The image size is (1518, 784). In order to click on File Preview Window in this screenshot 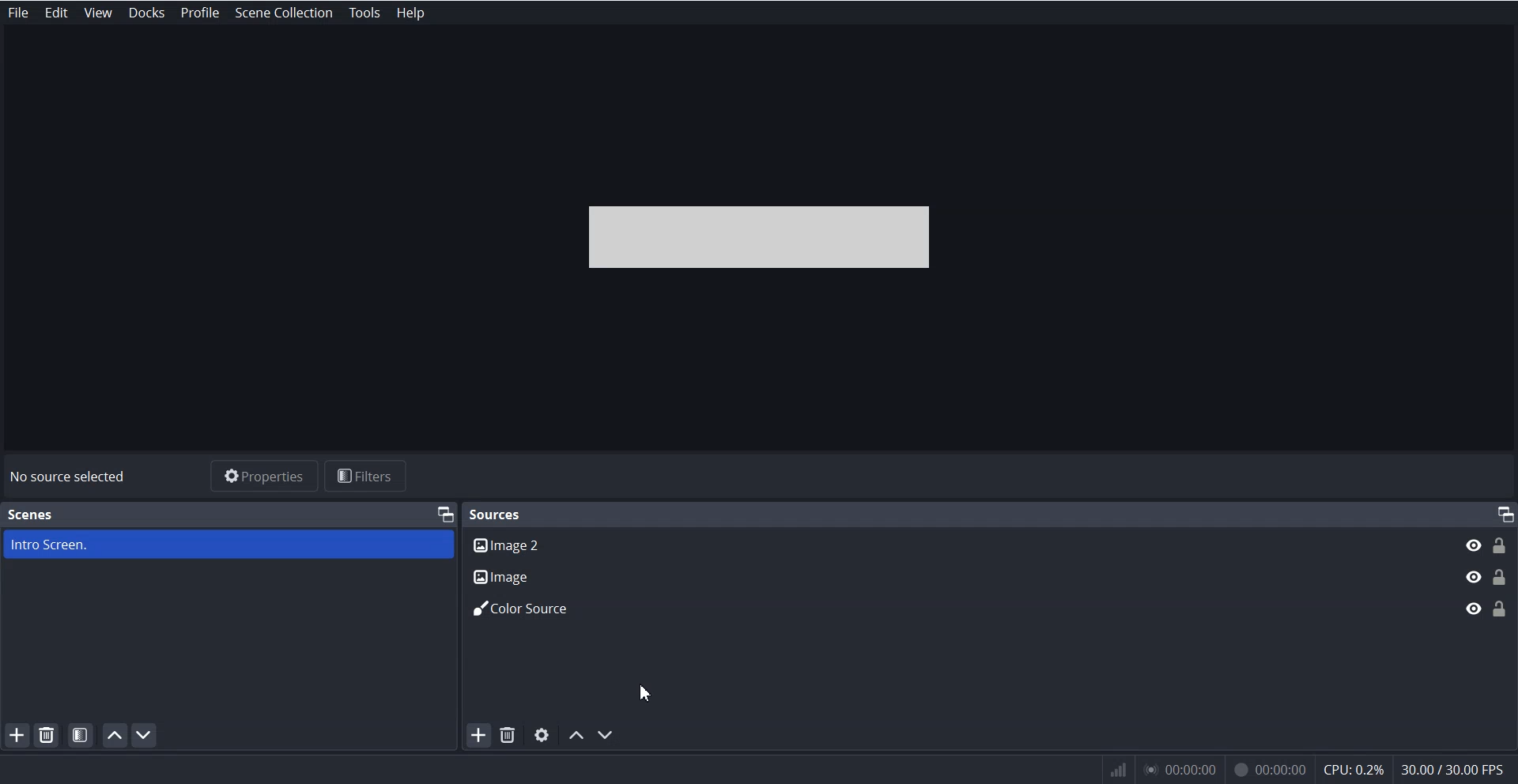, I will do `click(765, 236)`.